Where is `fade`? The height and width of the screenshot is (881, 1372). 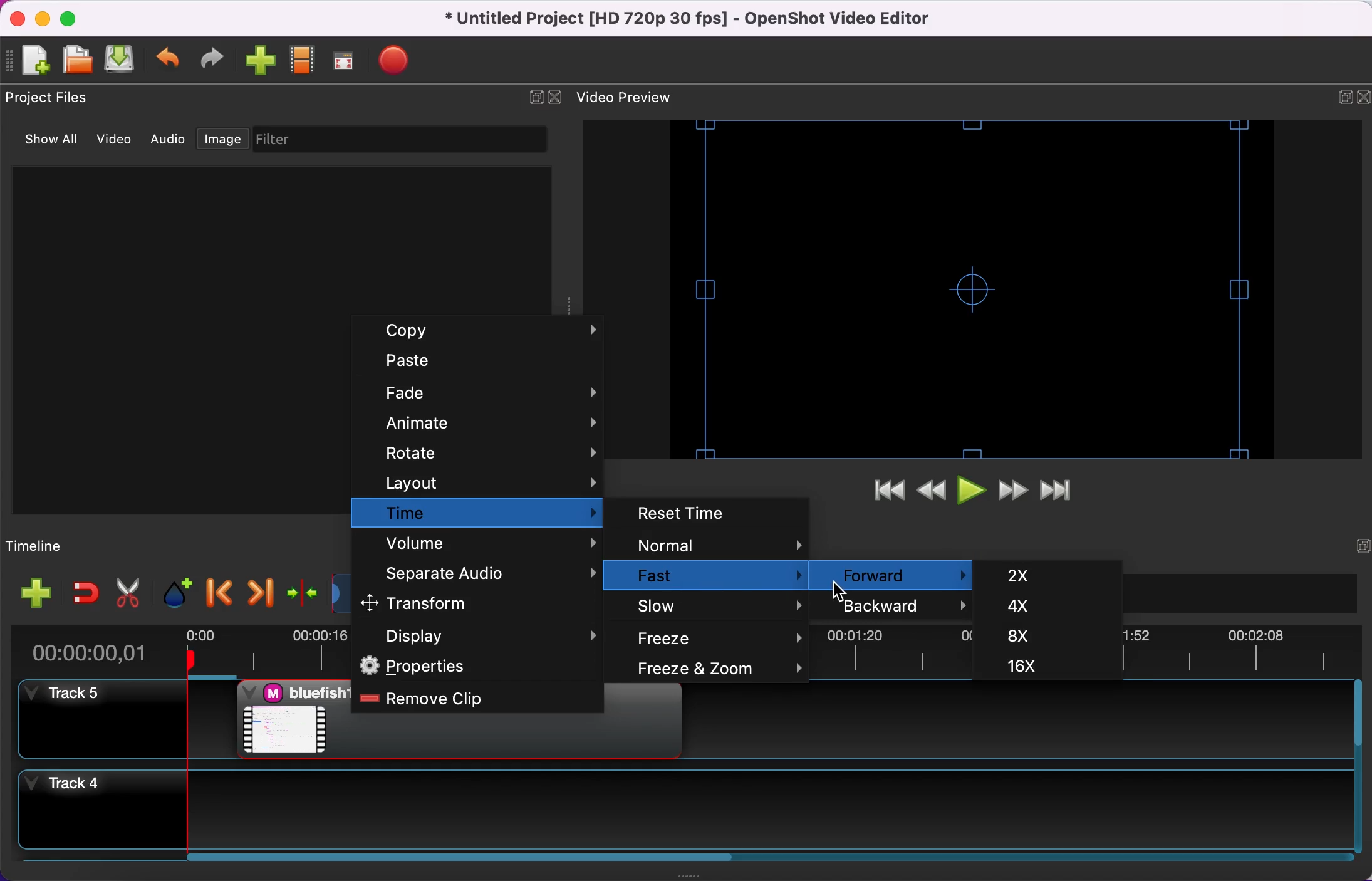
fade is located at coordinates (486, 395).